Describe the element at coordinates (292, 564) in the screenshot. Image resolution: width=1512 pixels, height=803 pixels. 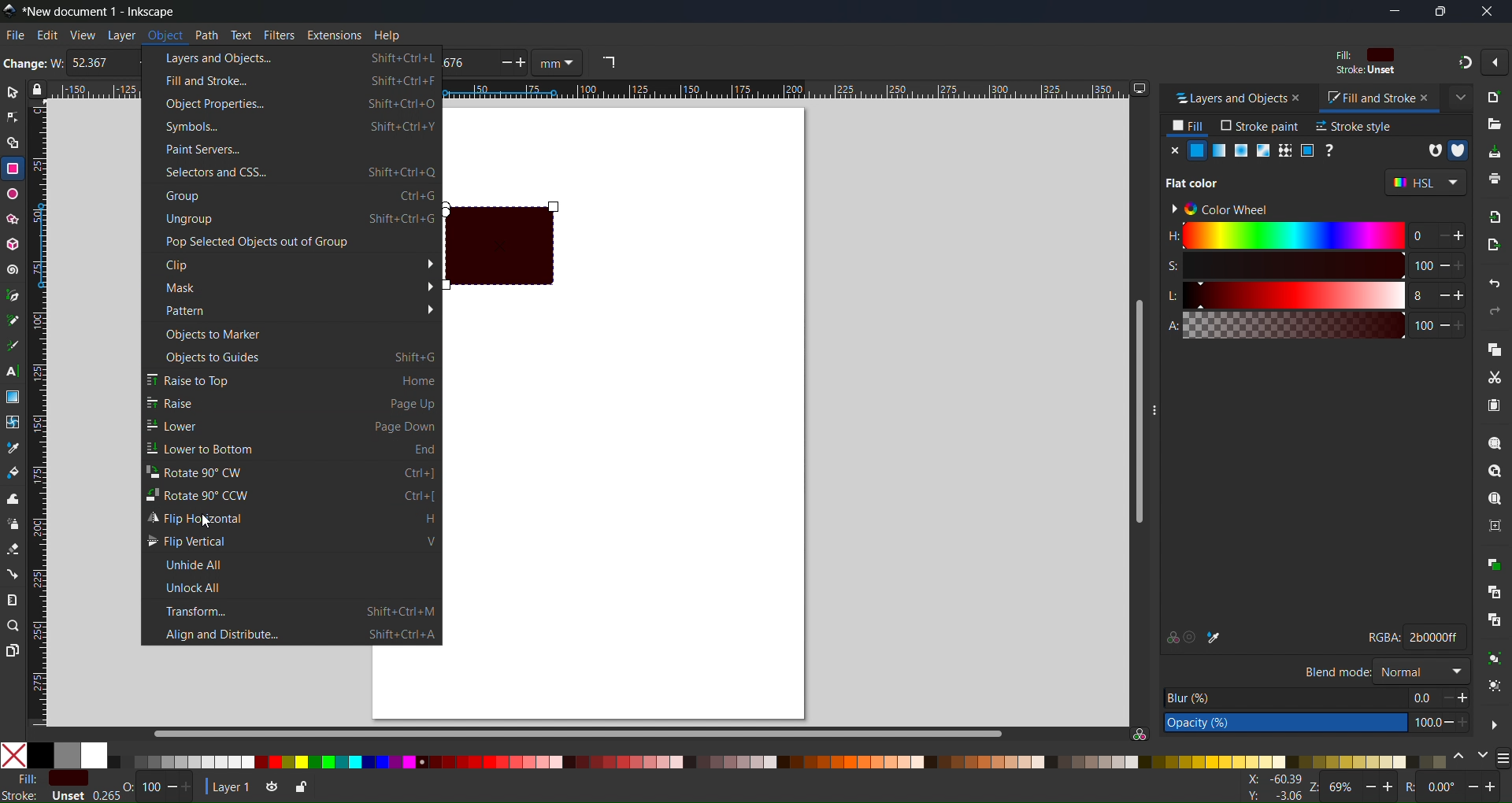
I see `Unhide All` at that location.